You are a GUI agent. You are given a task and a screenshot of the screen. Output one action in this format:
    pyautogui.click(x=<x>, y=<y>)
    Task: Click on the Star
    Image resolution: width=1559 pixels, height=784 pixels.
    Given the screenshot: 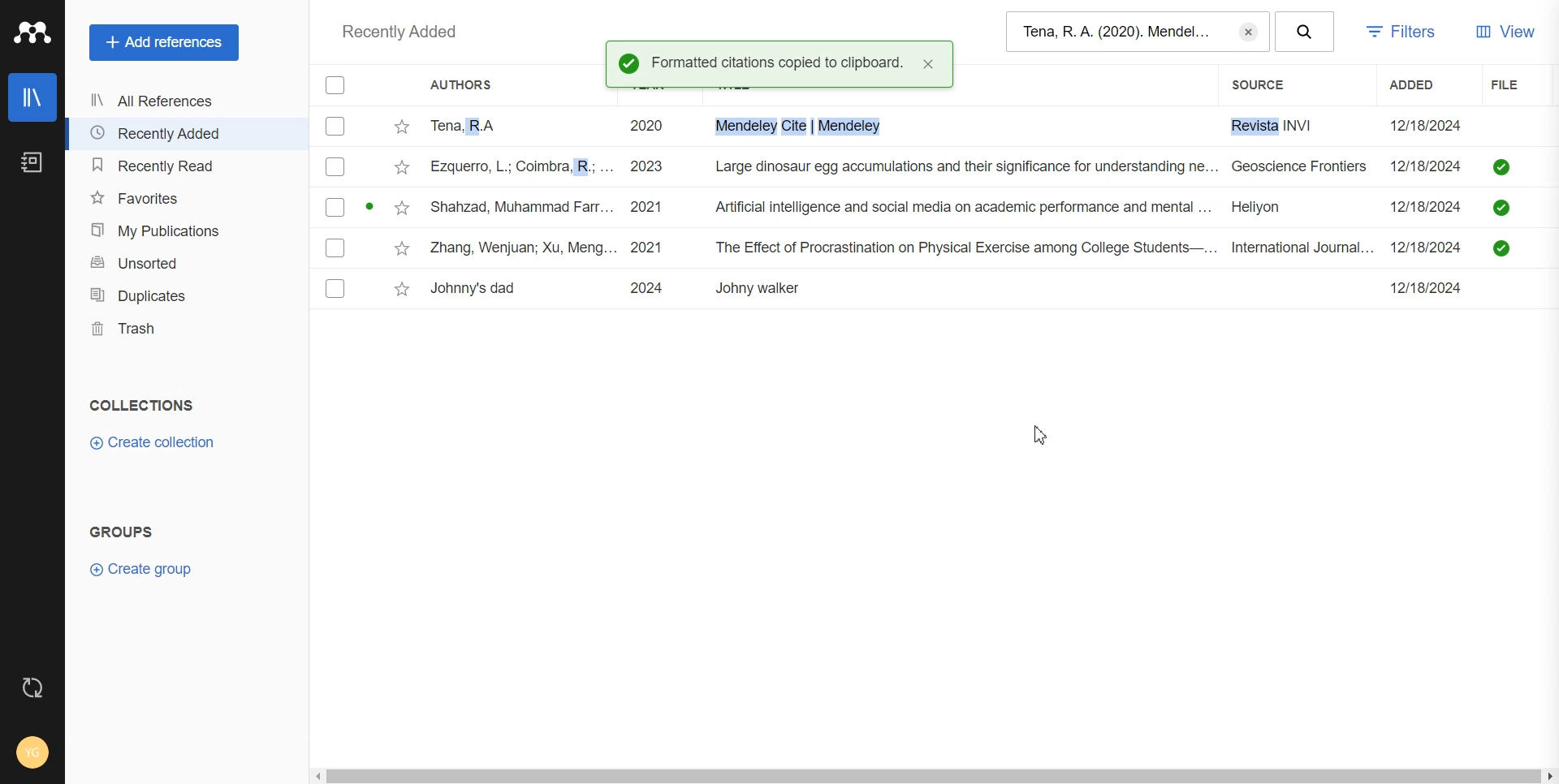 What is the action you would take?
    pyautogui.click(x=402, y=128)
    